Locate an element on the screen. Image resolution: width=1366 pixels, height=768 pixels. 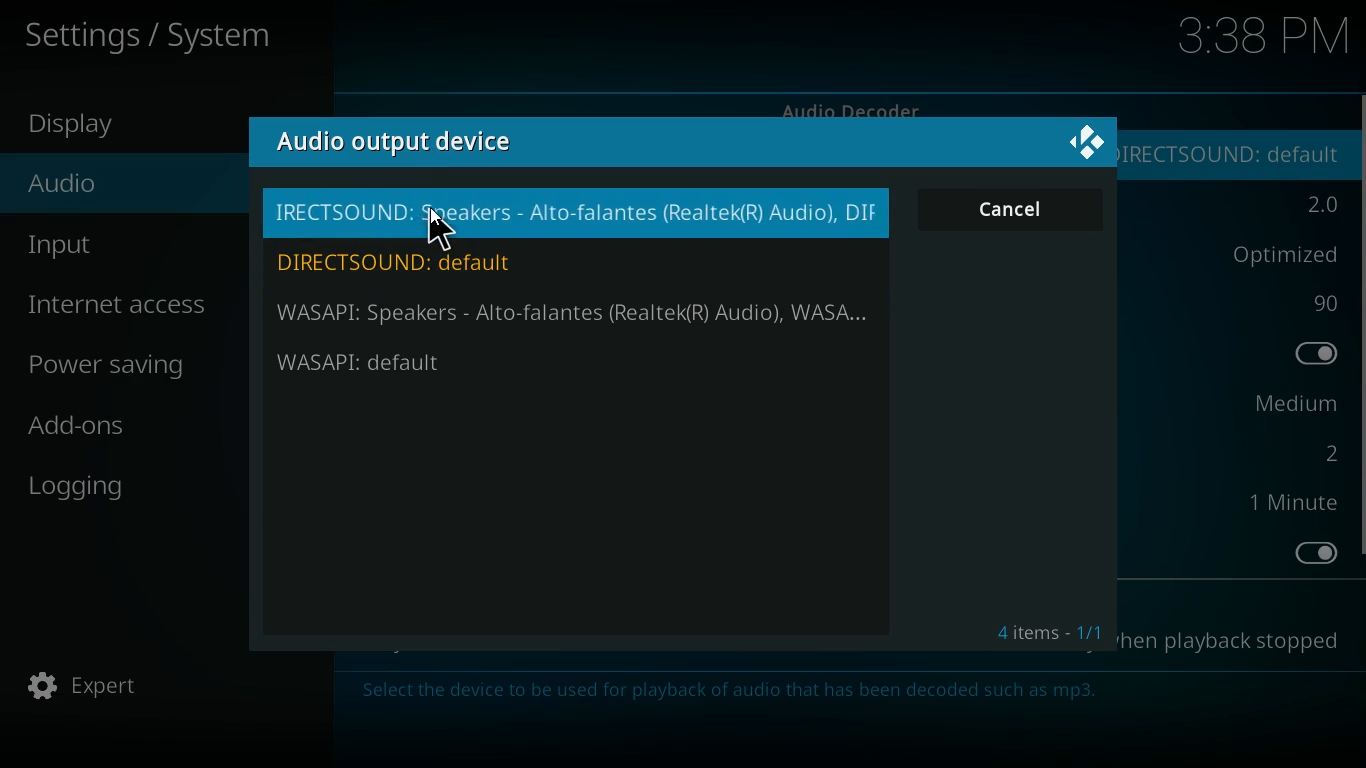
wasapi speakers is located at coordinates (577, 314).